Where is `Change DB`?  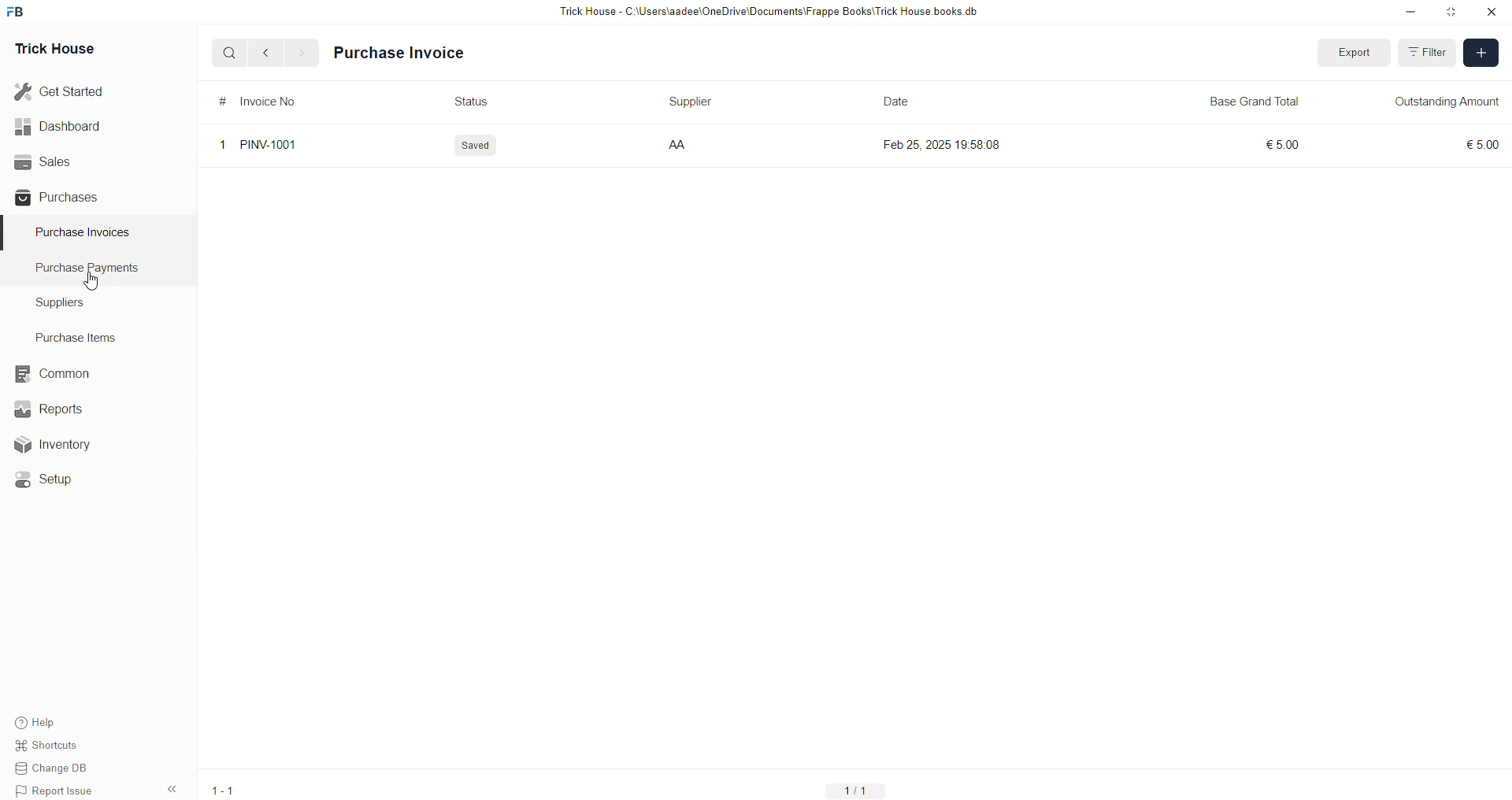
Change DB is located at coordinates (60, 769).